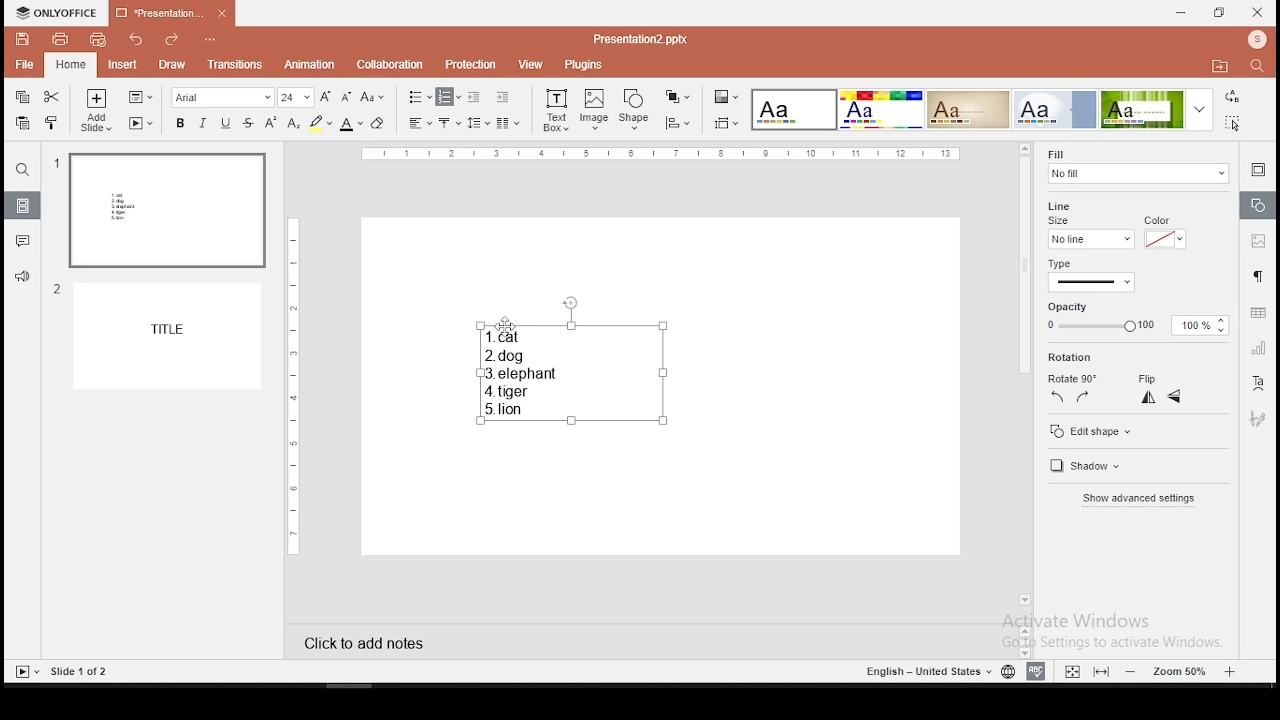 The height and width of the screenshot is (720, 1280). Describe the element at coordinates (23, 205) in the screenshot. I see `slides` at that location.